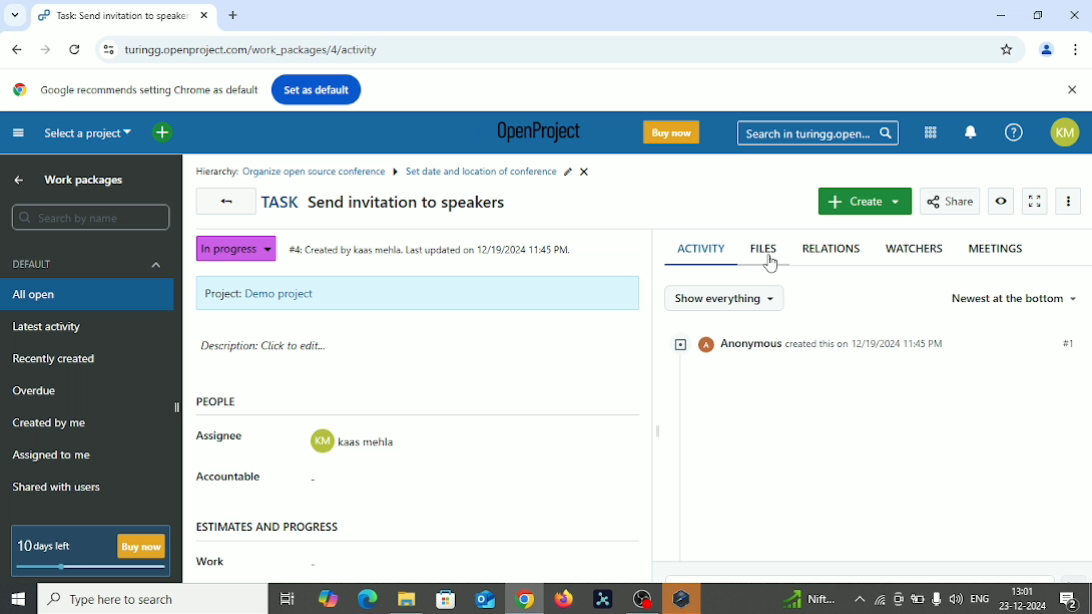 This screenshot has height=614, width=1092. What do you see at coordinates (1075, 600) in the screenshot?
I see `Notifications` at bounding box center [1075, 600].